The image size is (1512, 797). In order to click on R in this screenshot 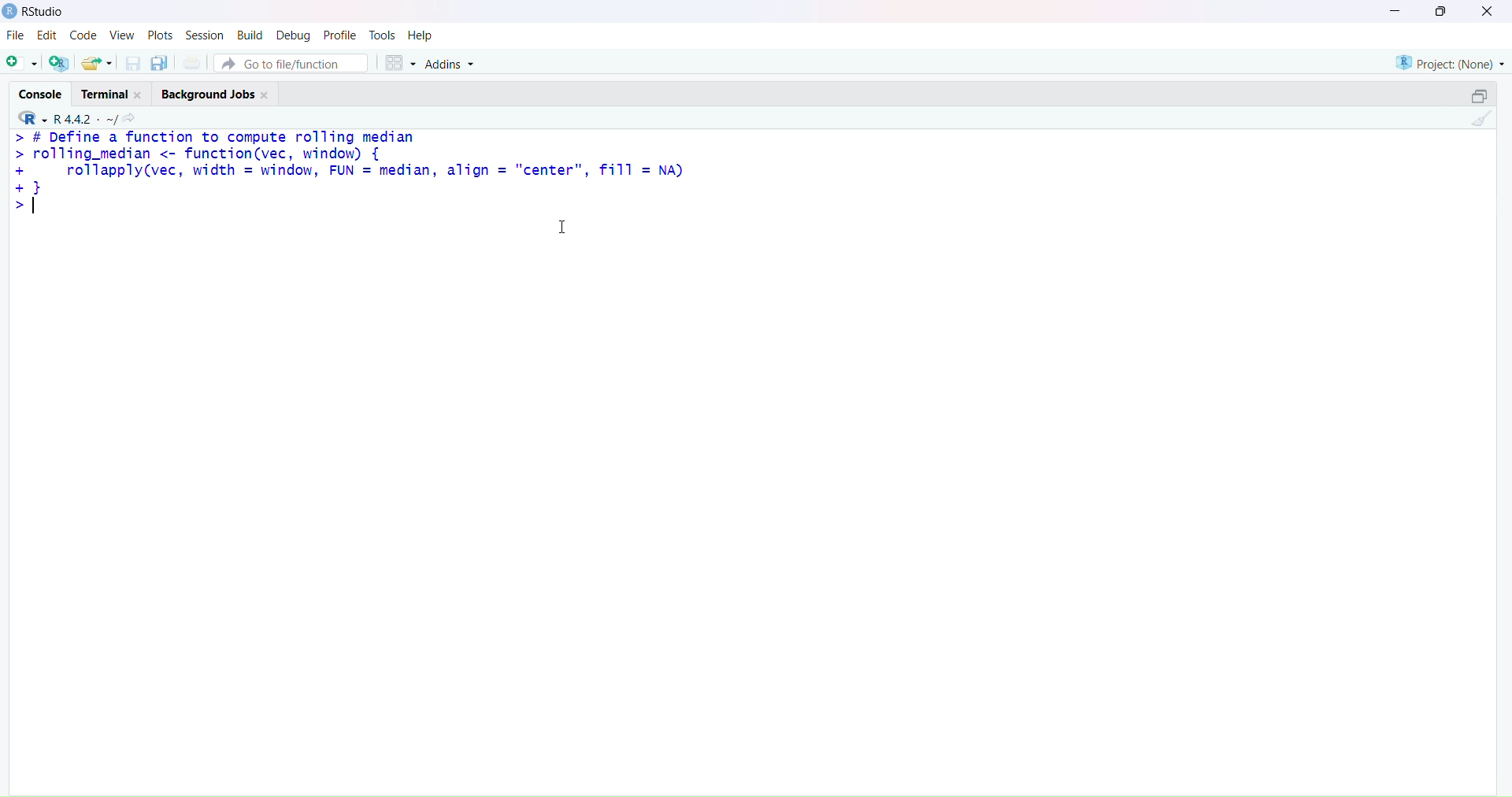, I will do `click(33, 117)`.